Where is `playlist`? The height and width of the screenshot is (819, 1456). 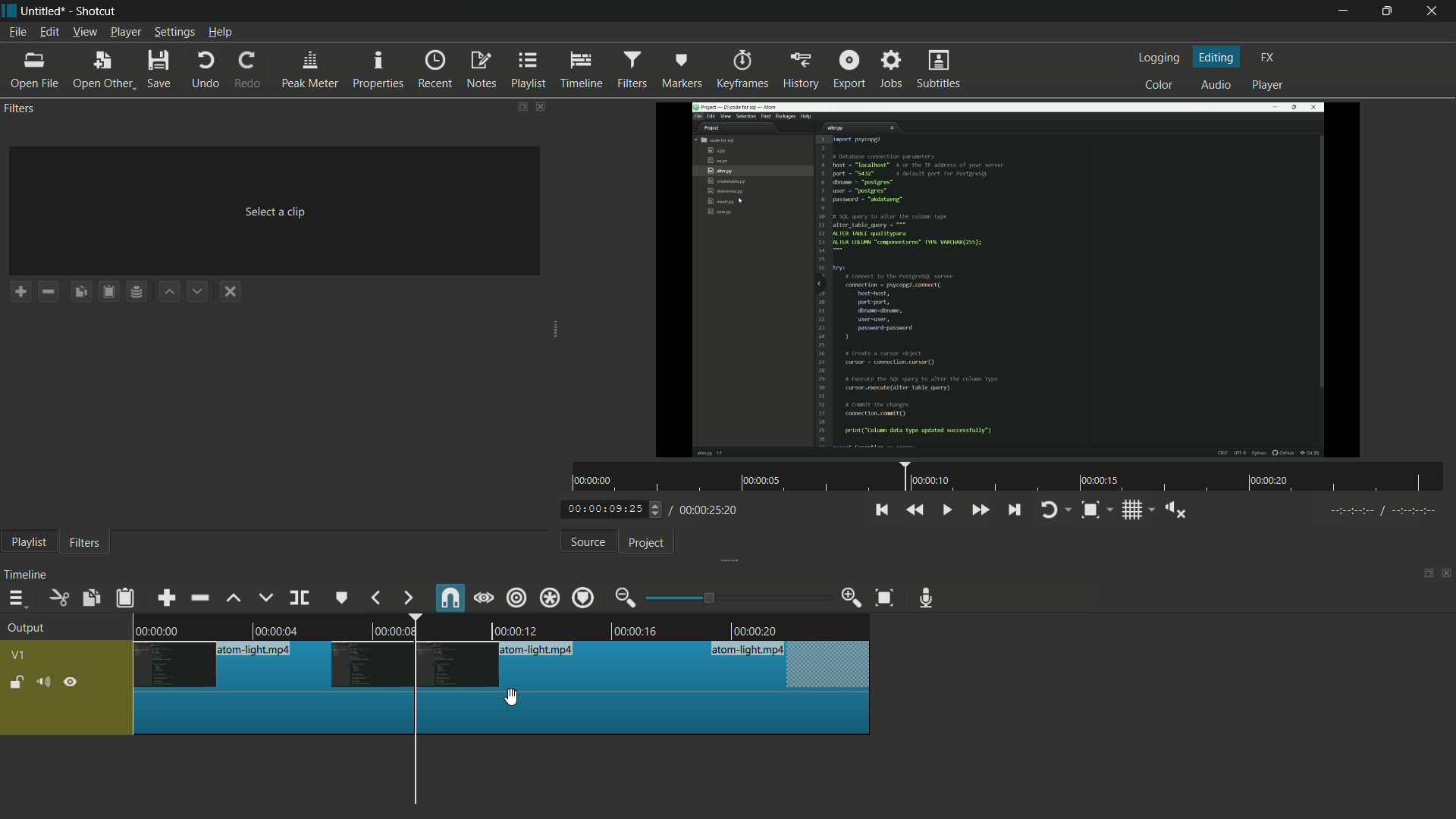 playlist is located at coordinates (529, 71).